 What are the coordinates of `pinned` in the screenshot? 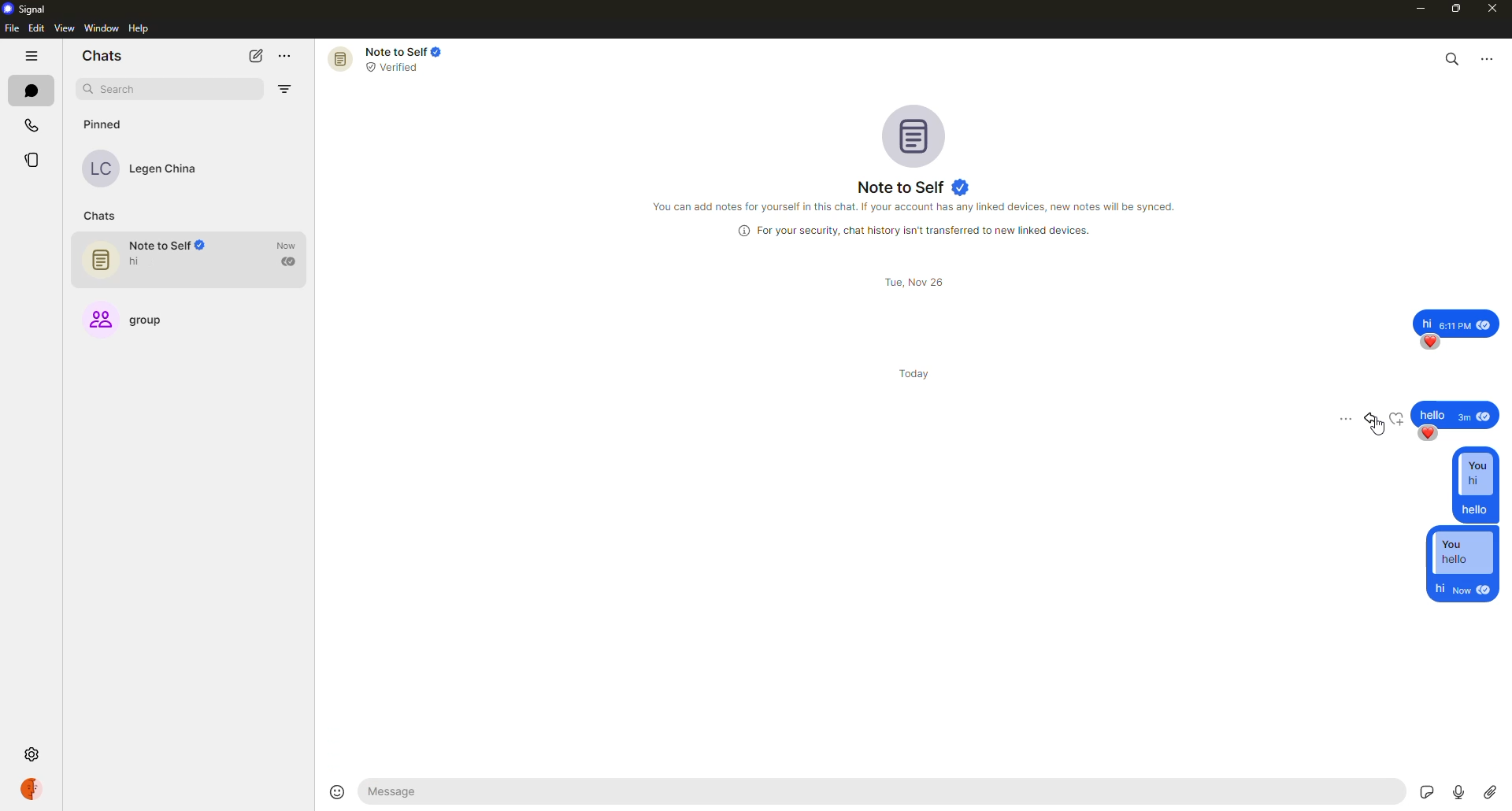 It's located at (103, 126).